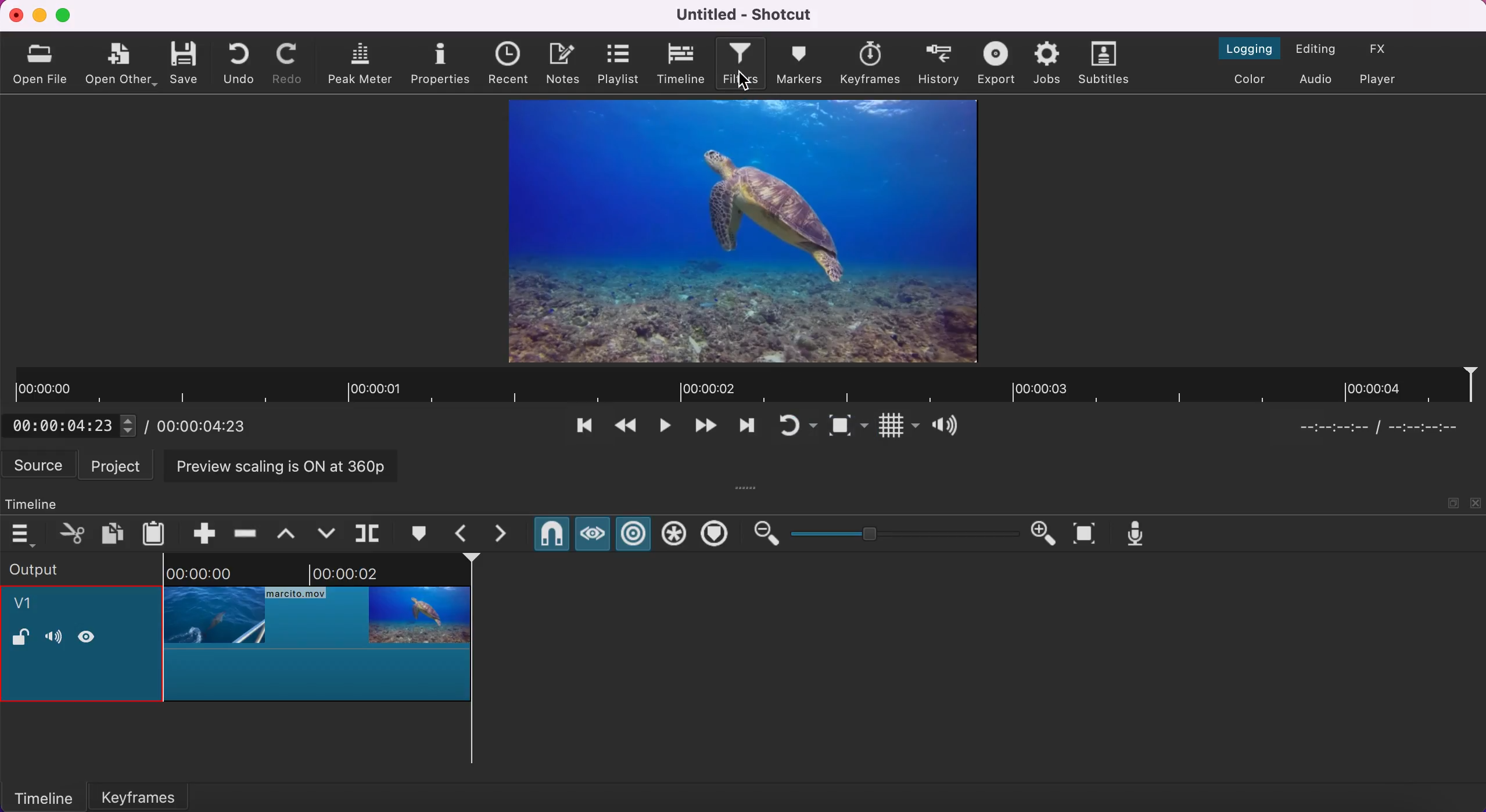  I want to click on split at playhead, so click(370, 534).